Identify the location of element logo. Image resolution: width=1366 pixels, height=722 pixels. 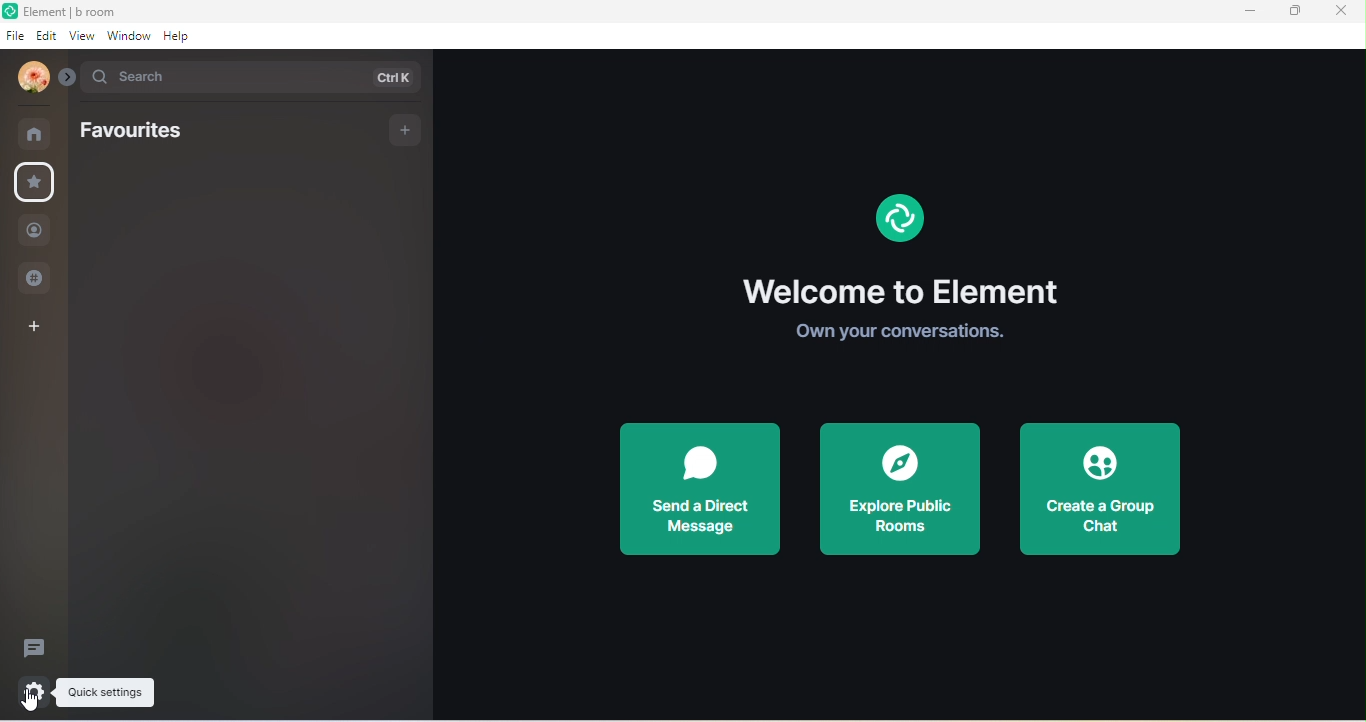
(9, 10).